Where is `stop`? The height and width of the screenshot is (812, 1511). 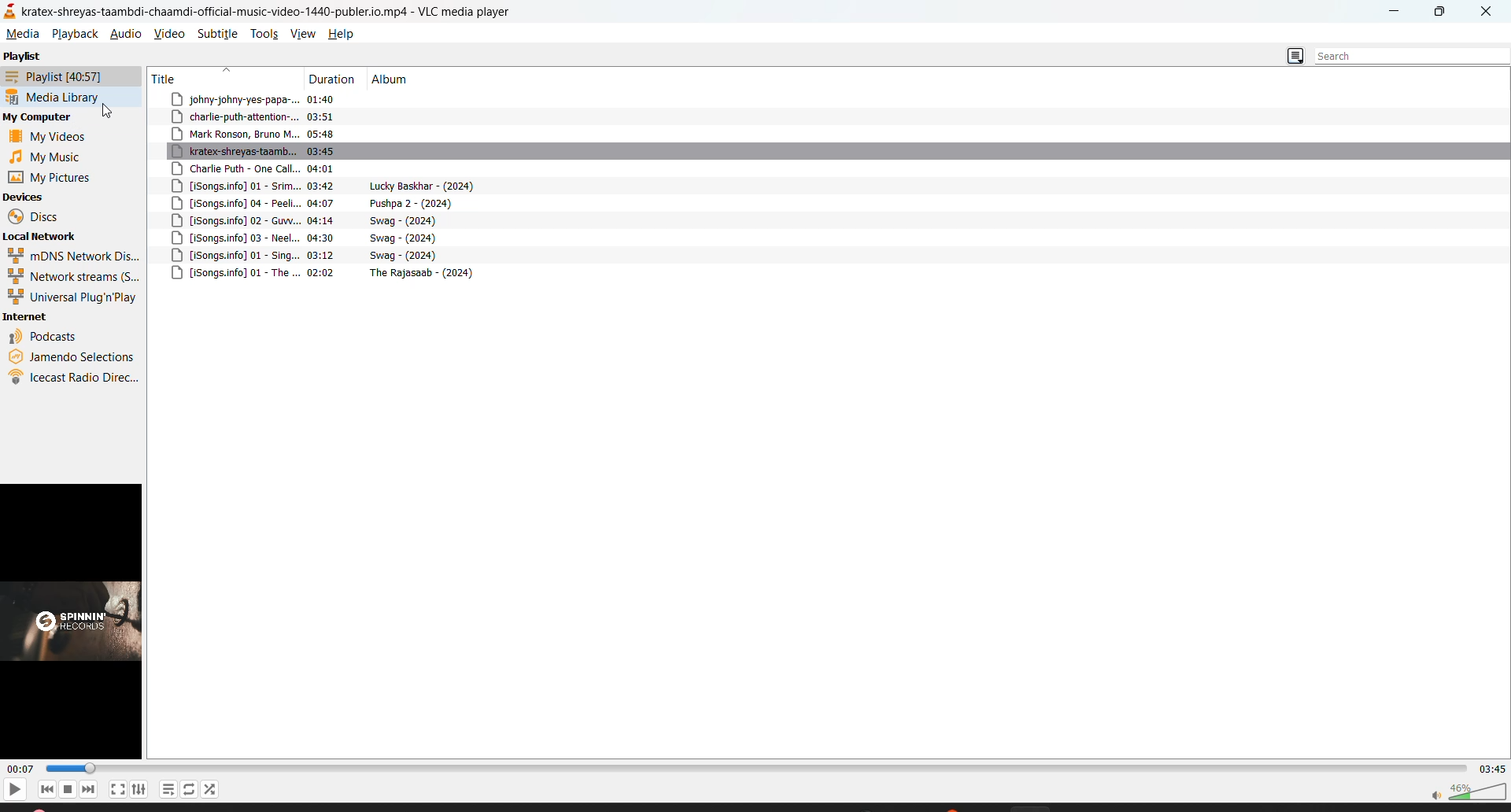
stop is located at coordinates (68, 789).